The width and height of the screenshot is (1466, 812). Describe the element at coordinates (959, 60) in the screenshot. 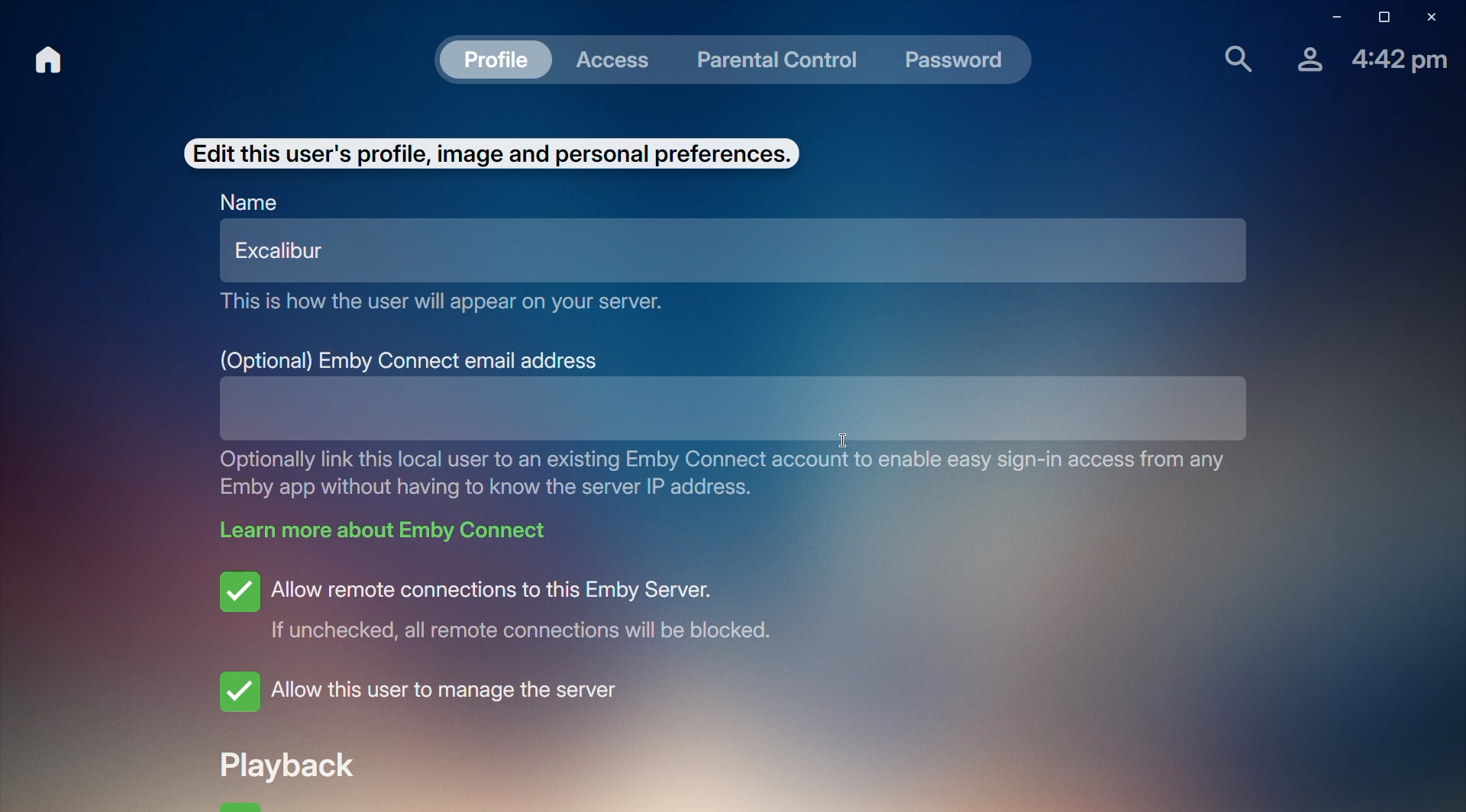

I see `Password` at that location.